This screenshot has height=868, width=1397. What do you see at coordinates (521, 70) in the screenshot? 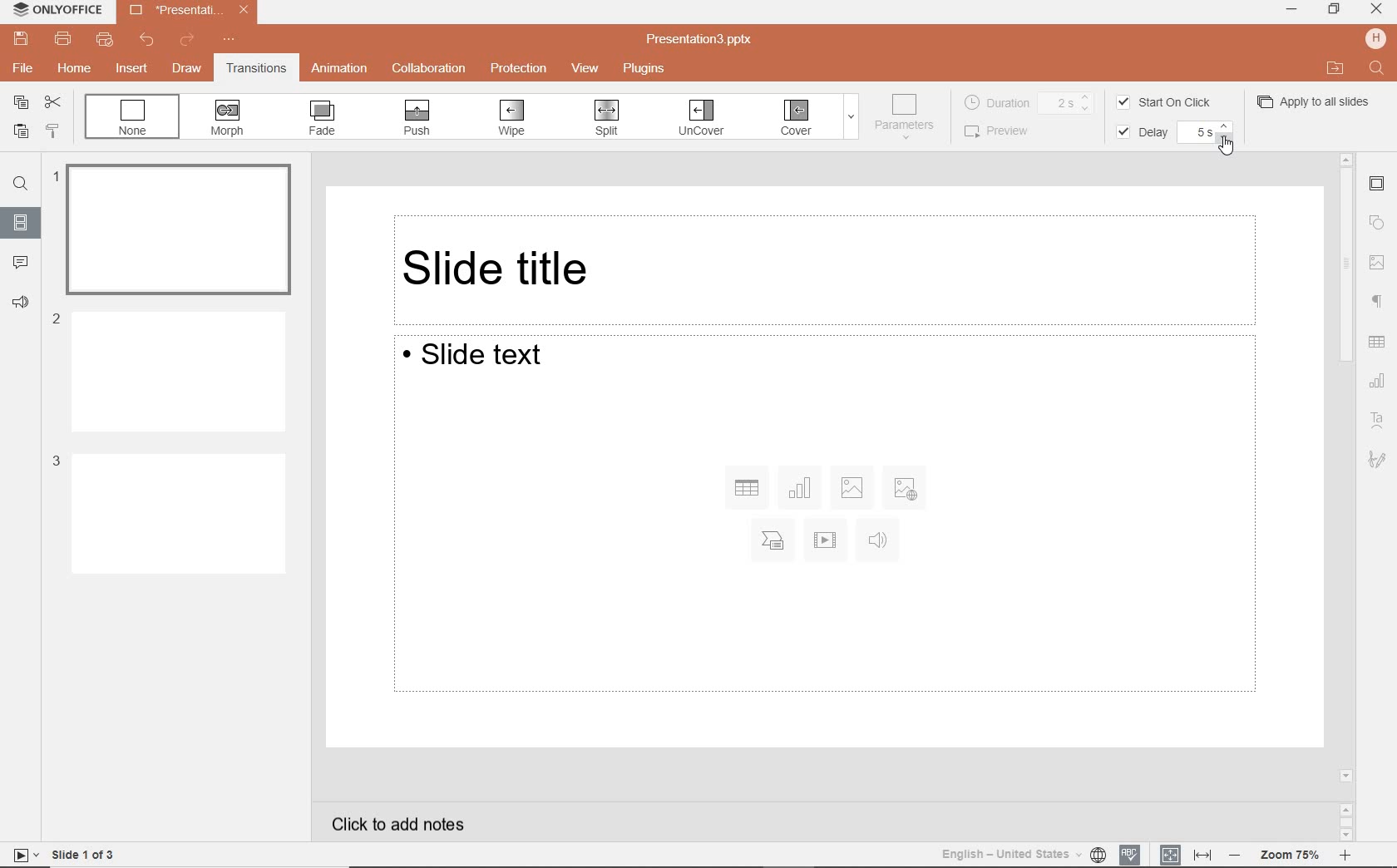
I see `protection` at bounding box center [521, 70].